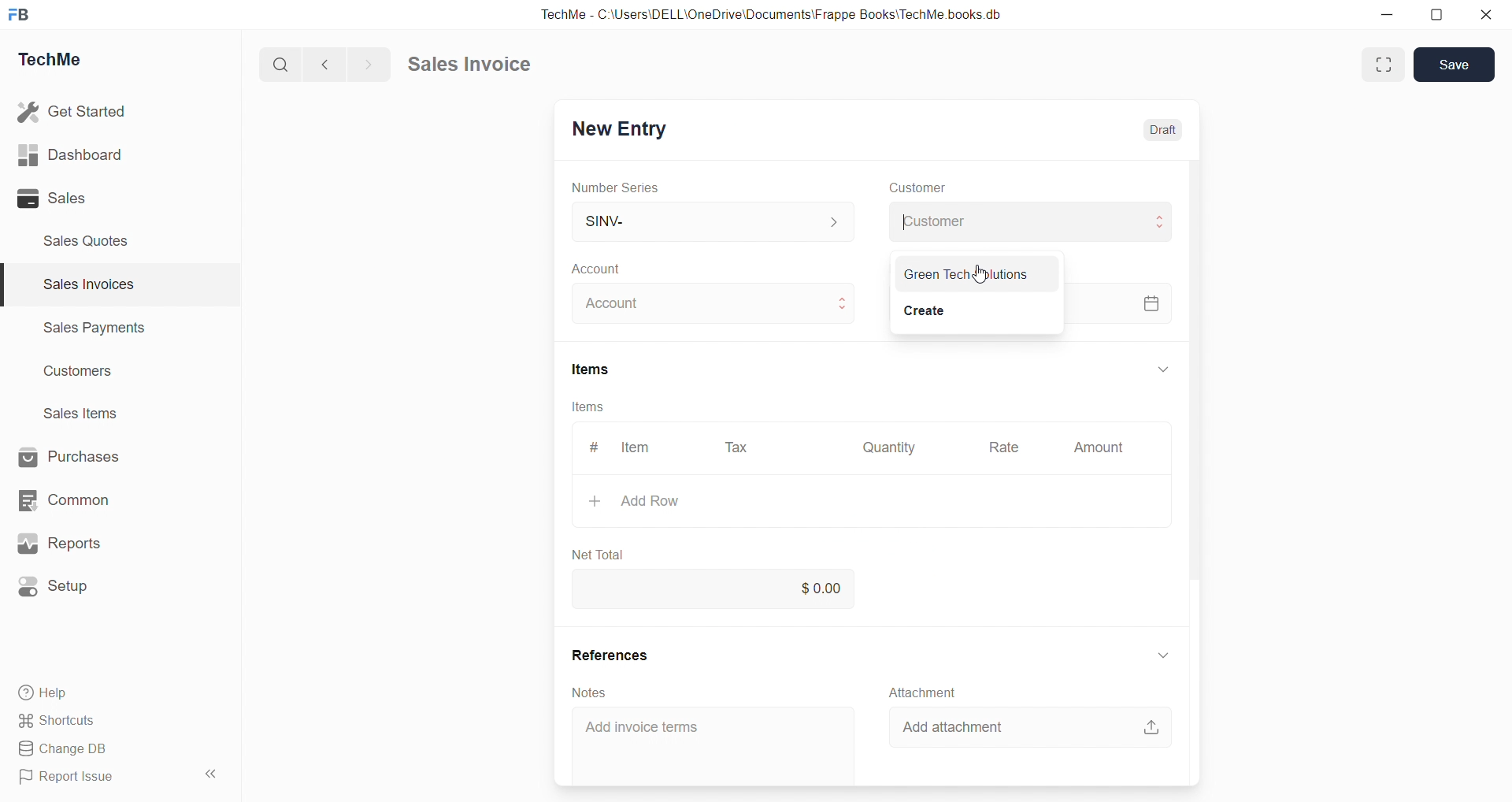  What do you see at coordinates (622, 130) in the screenshot?
I see `New Entry` at bounding box center [622, 130].